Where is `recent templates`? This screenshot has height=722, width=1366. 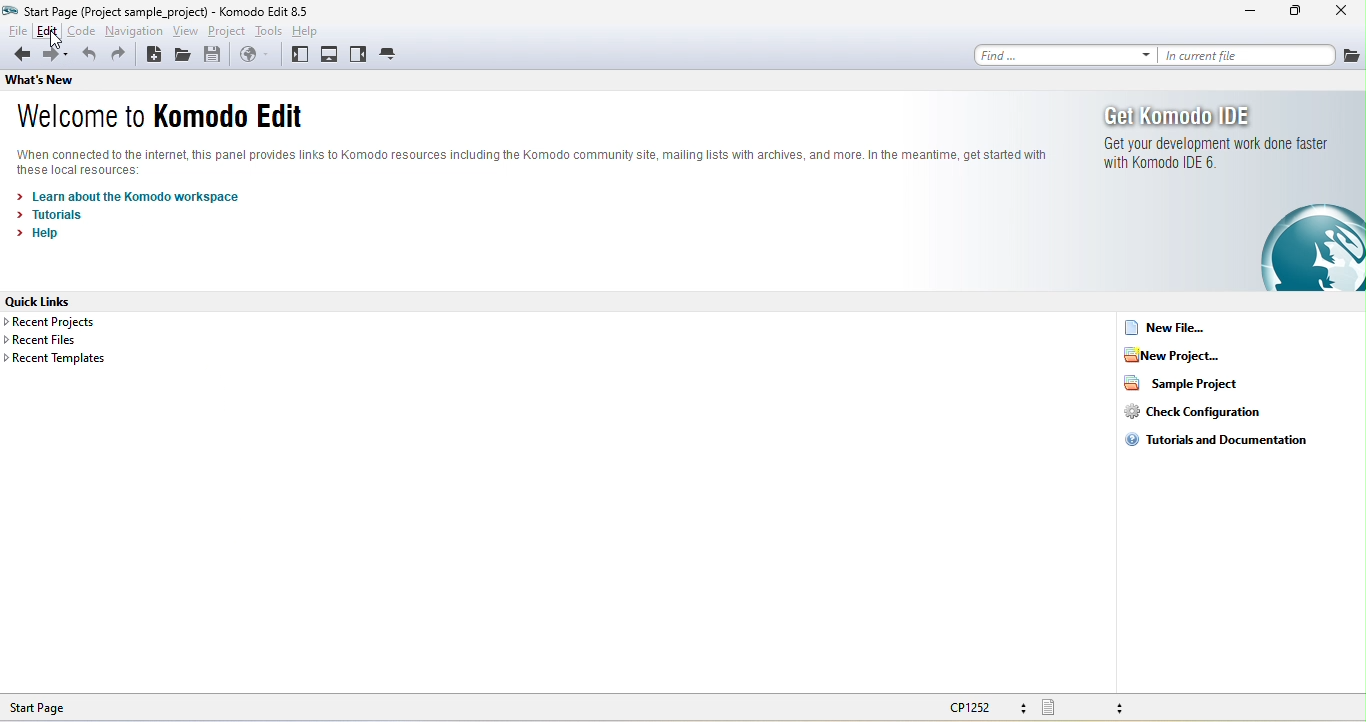
recent templates is located at coordinates (56, 360).